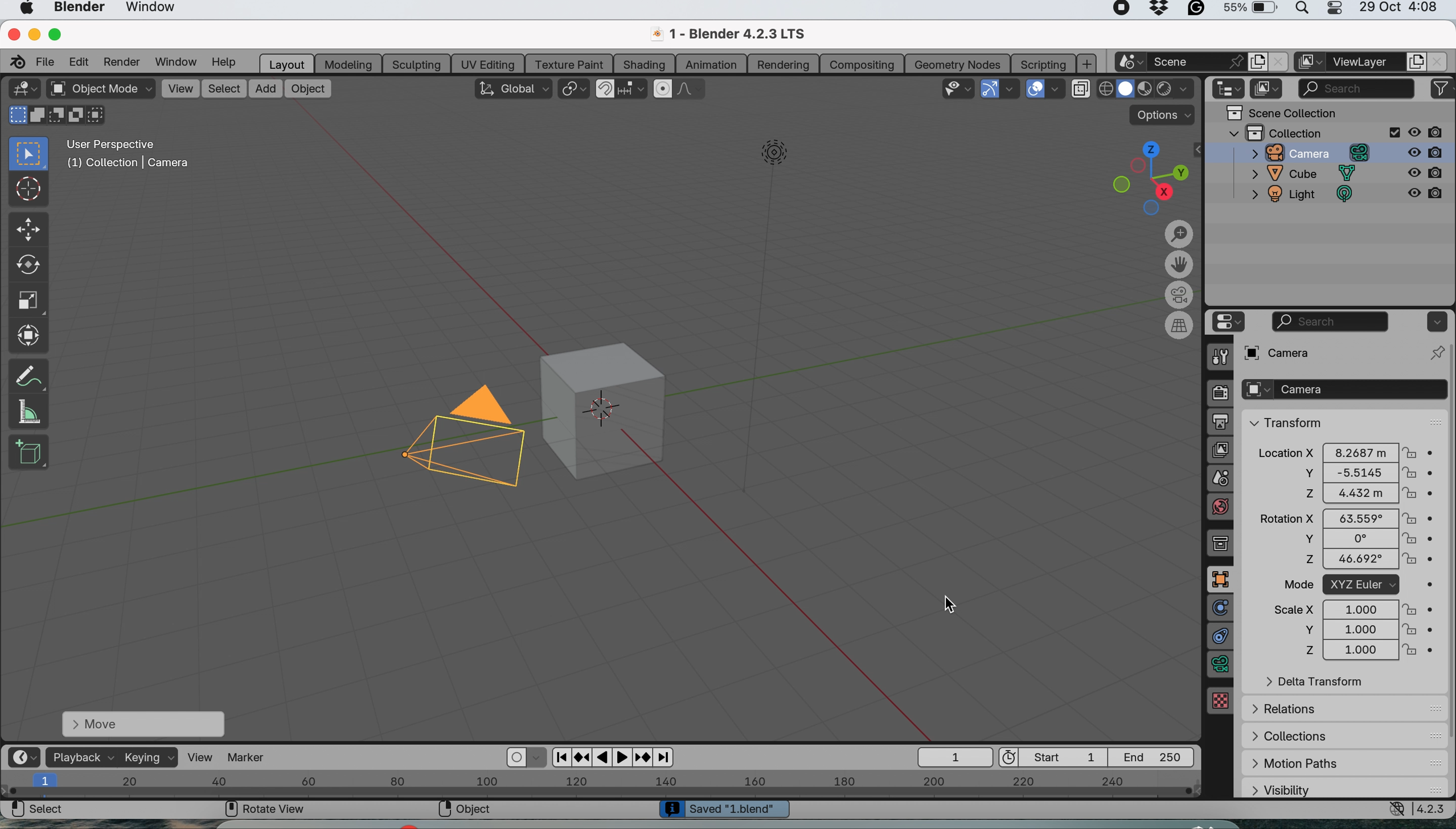 Image resolution: width=1456 pixels, height=829 pixels. I want to click on transform, so click(1283, 421).